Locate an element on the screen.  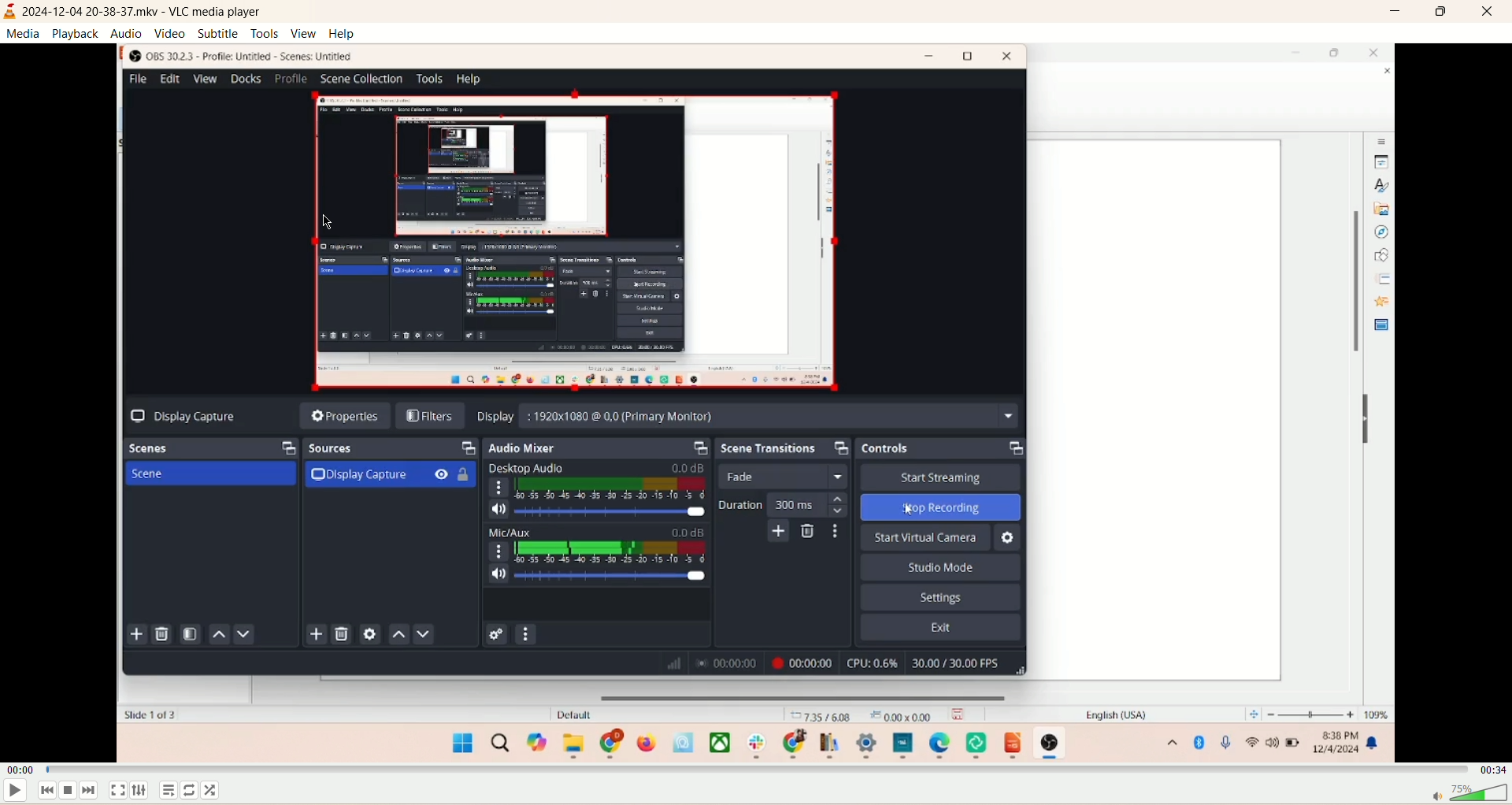
shuffle is located at coordinates (216, 789).